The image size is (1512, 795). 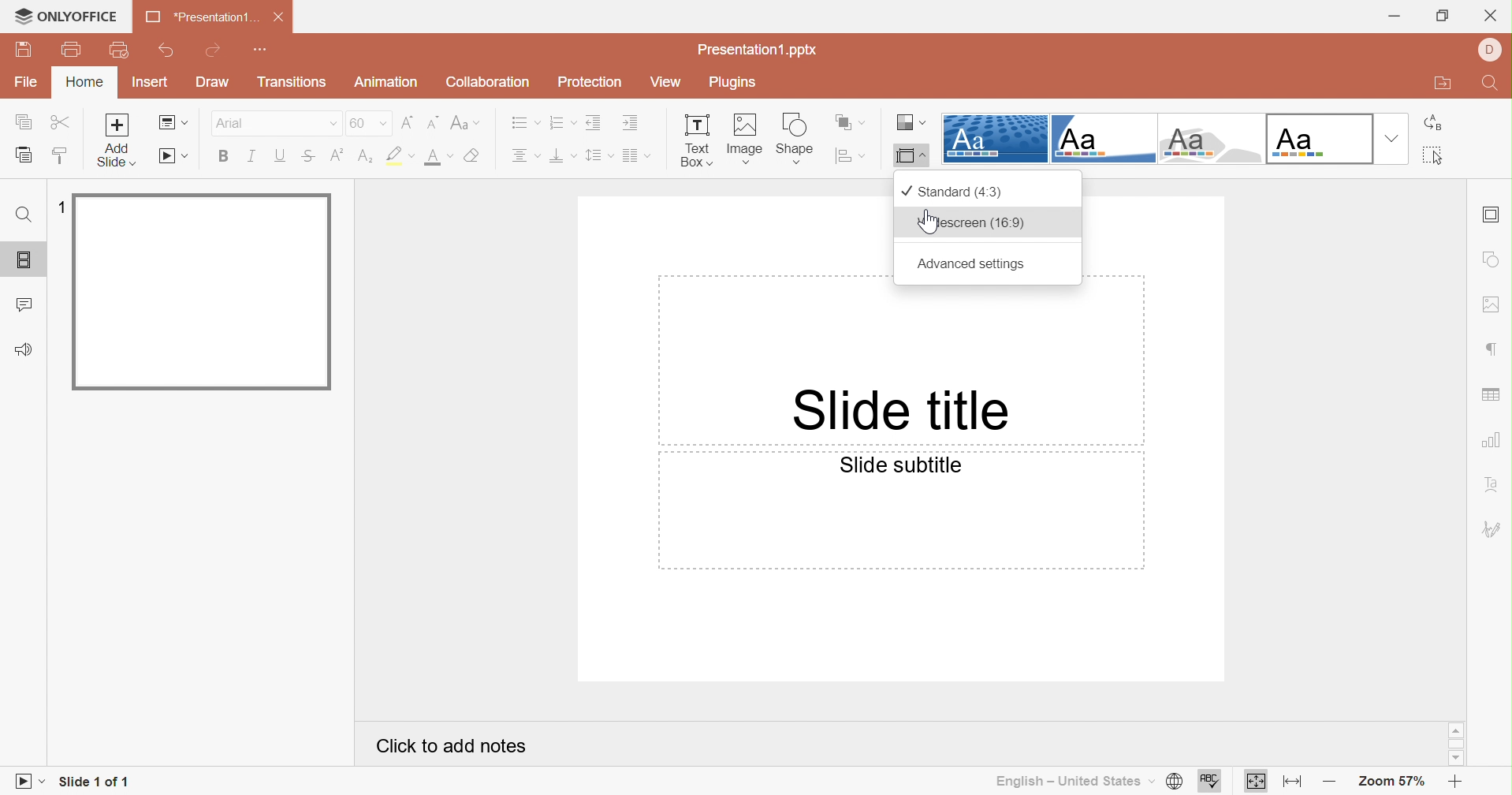 I want to click on Collaboration, so click(x=490, y=80).